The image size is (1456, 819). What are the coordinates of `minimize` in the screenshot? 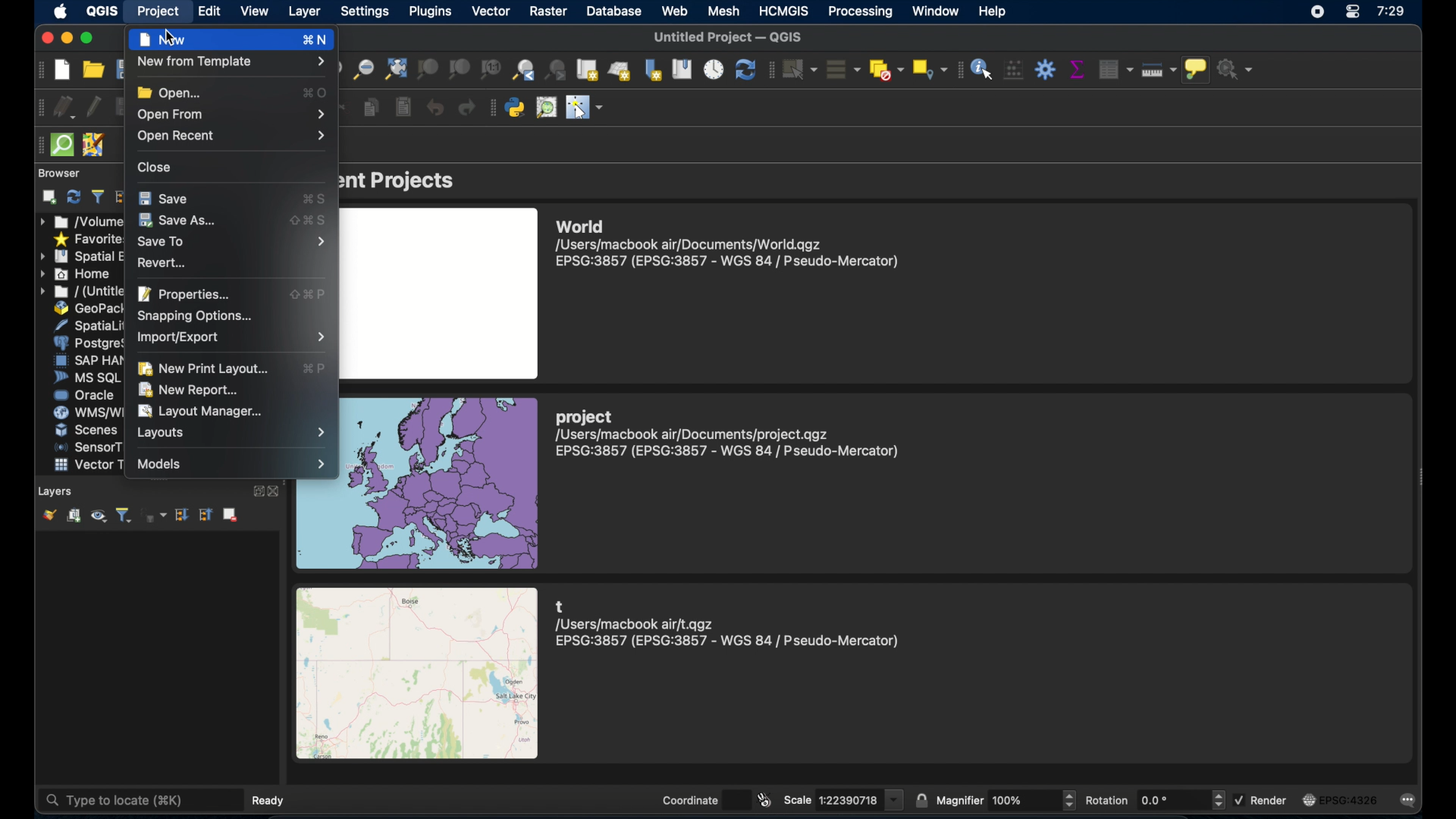 It's located at (67, 36).